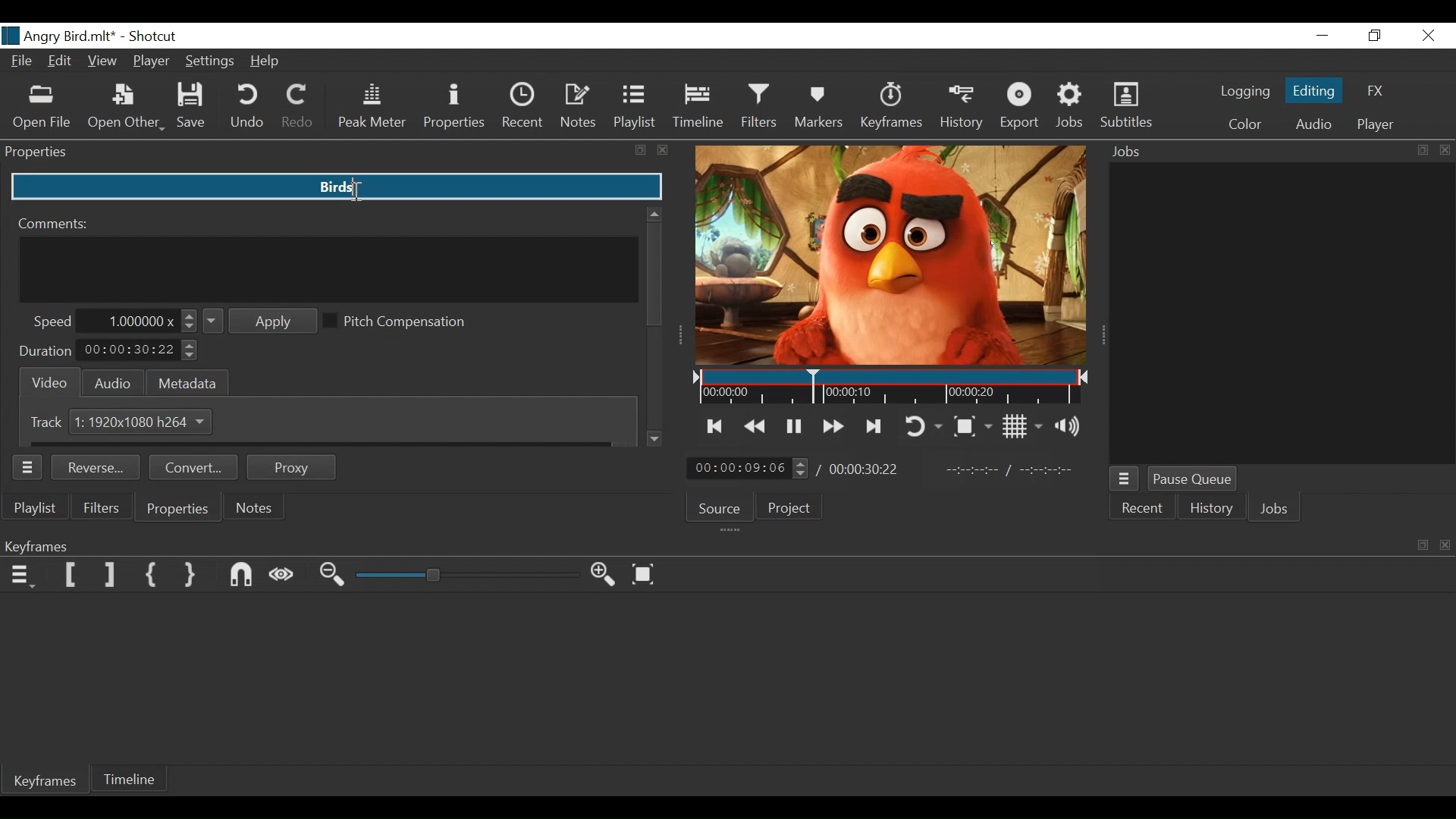  I want to click on Vertical Scrollbar, so click(654, 274).